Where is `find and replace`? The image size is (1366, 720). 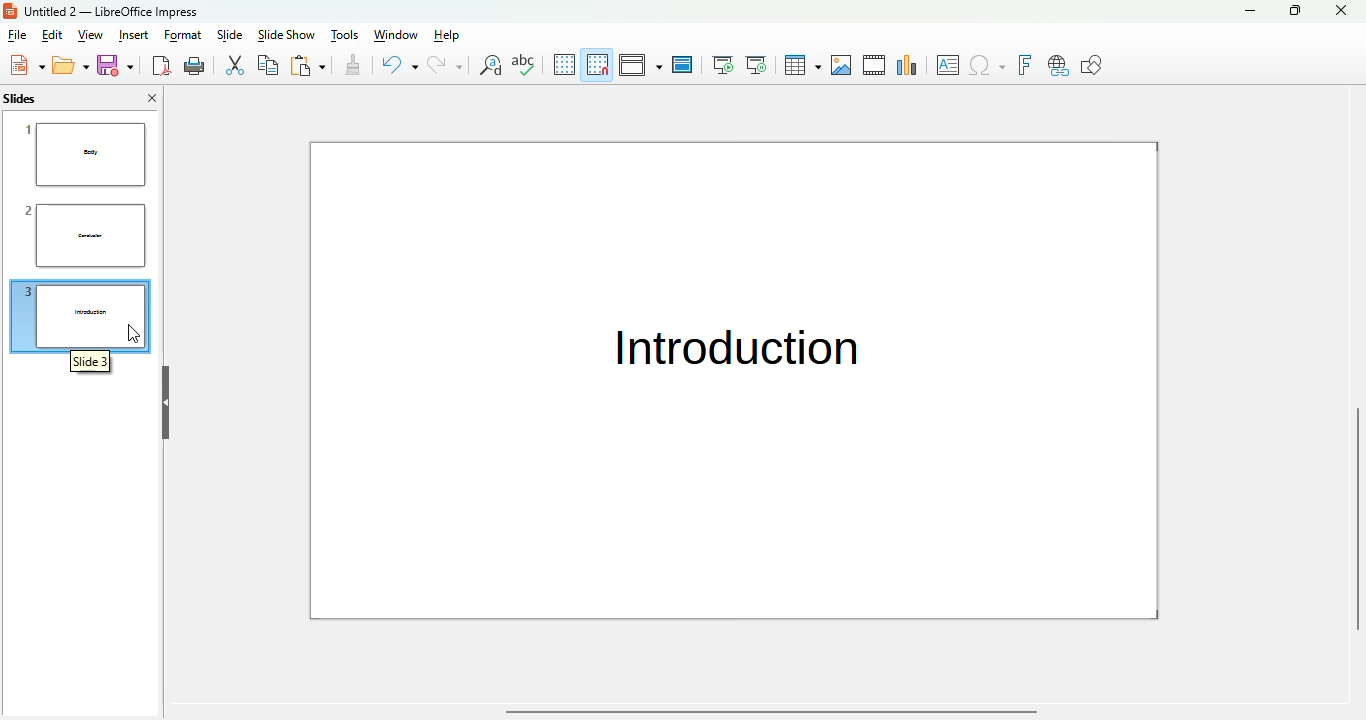
find and replace is located at coordinates (489, 64).